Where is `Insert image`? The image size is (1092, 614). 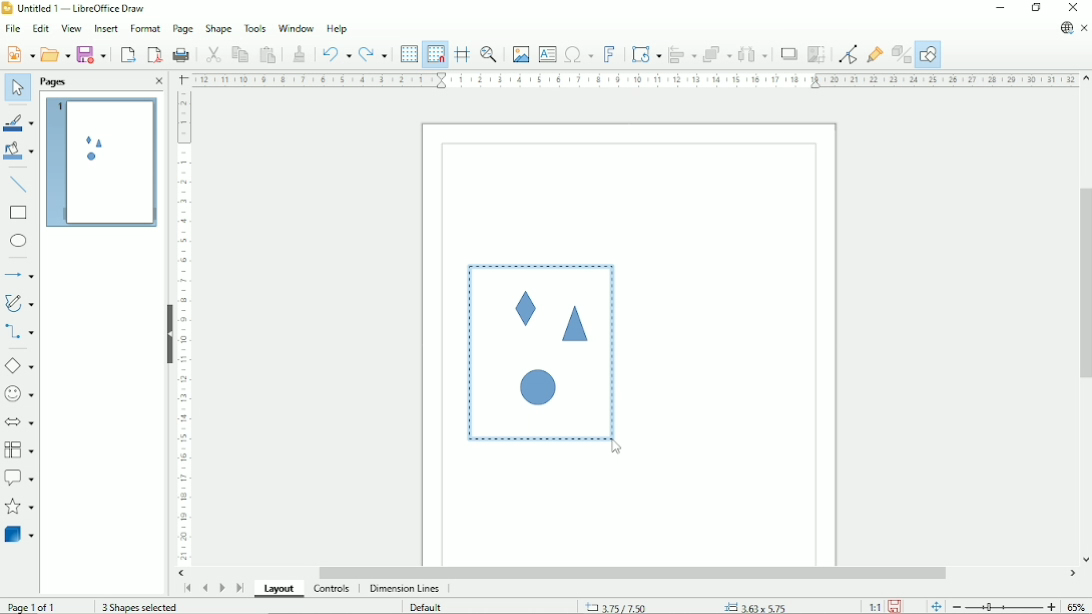 Insert image is located at coordinates (521, 55).